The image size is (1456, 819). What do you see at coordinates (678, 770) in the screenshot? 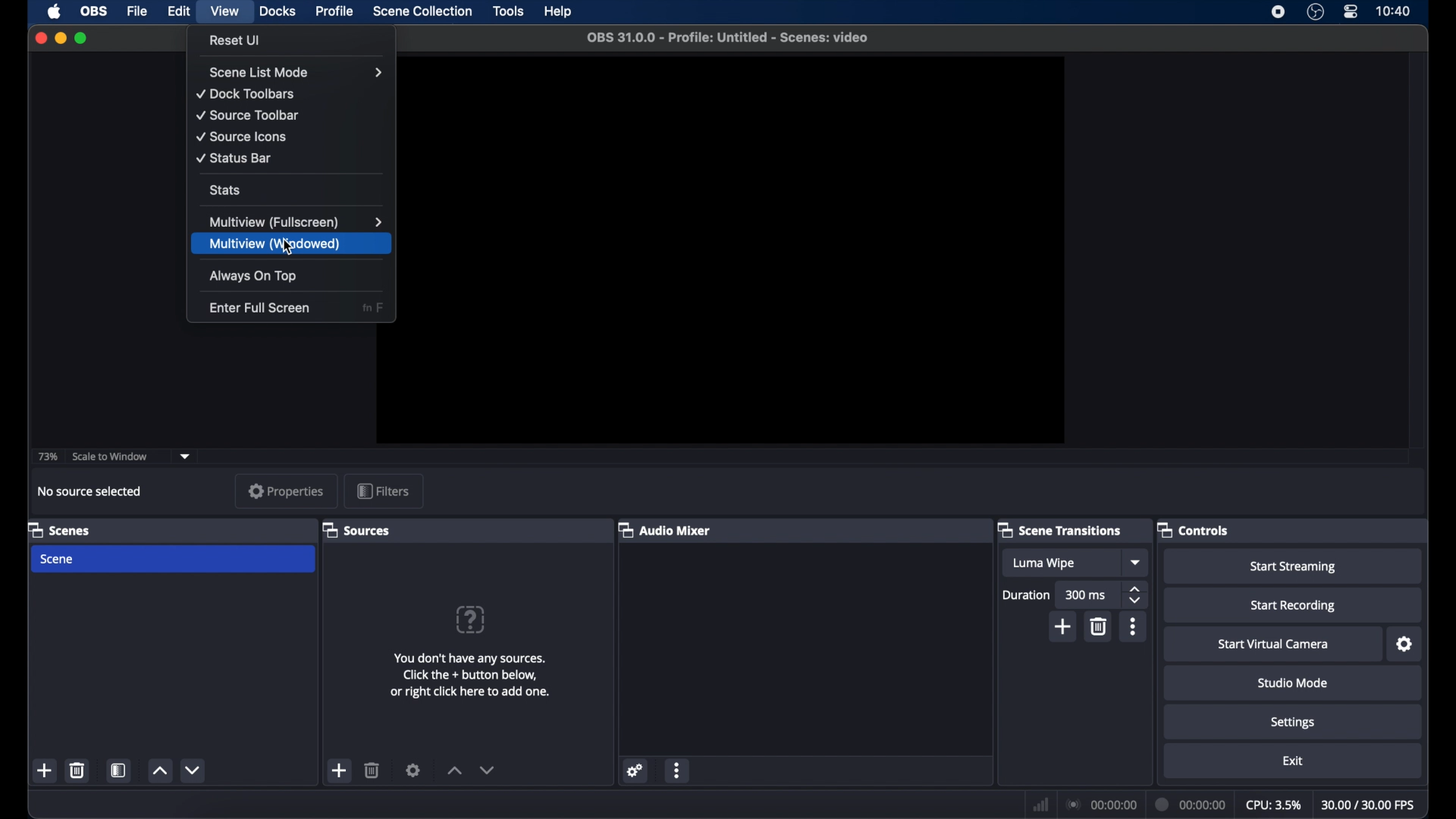
I see `more options` at bounding box center [678, 770].